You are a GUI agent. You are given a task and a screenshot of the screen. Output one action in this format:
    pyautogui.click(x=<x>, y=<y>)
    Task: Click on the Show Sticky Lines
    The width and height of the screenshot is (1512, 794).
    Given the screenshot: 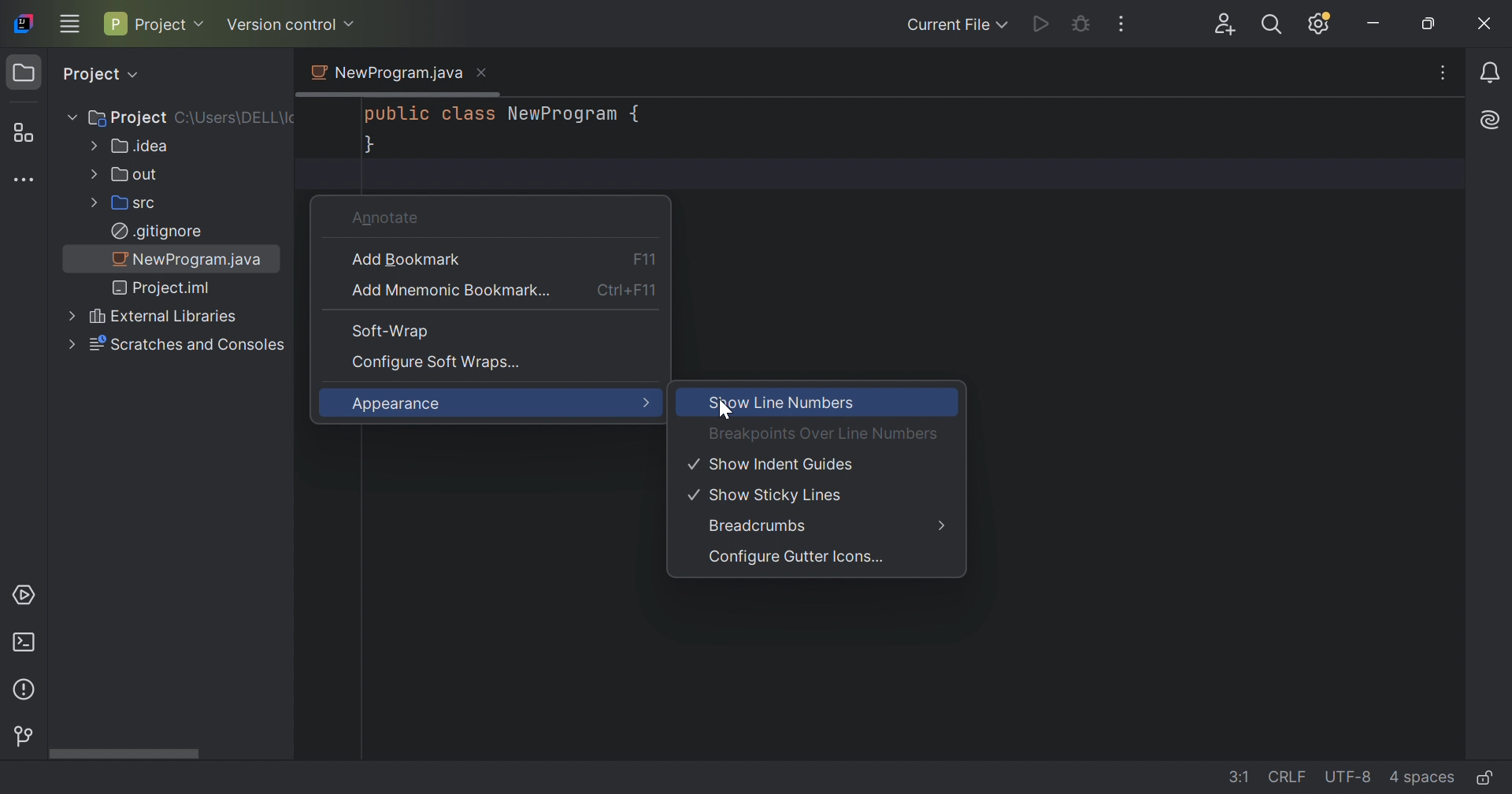 What is the action you would take?
    pyautogui.click(x=769, y=497)
    